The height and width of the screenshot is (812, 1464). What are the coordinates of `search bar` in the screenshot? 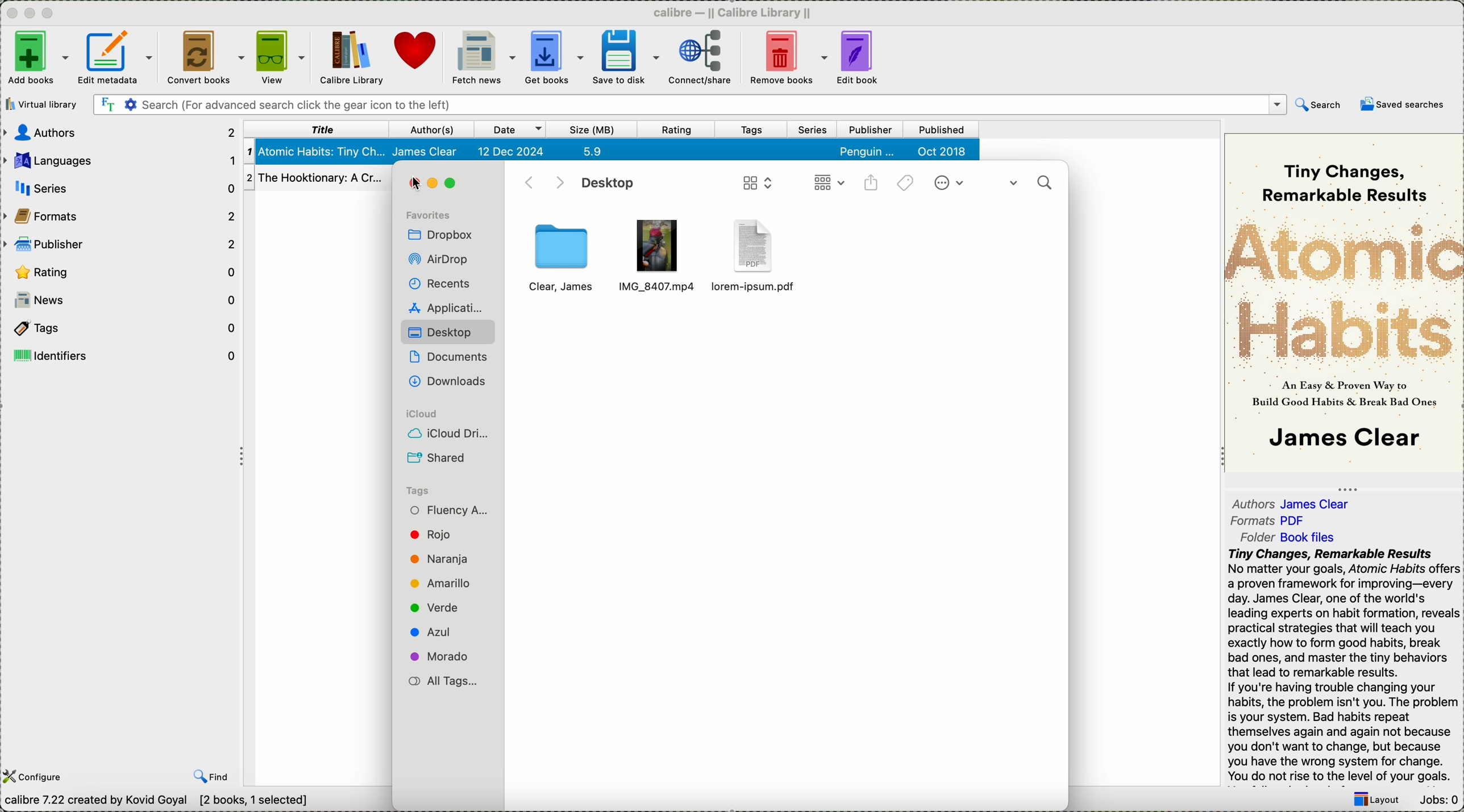 It's located at (688, 105).